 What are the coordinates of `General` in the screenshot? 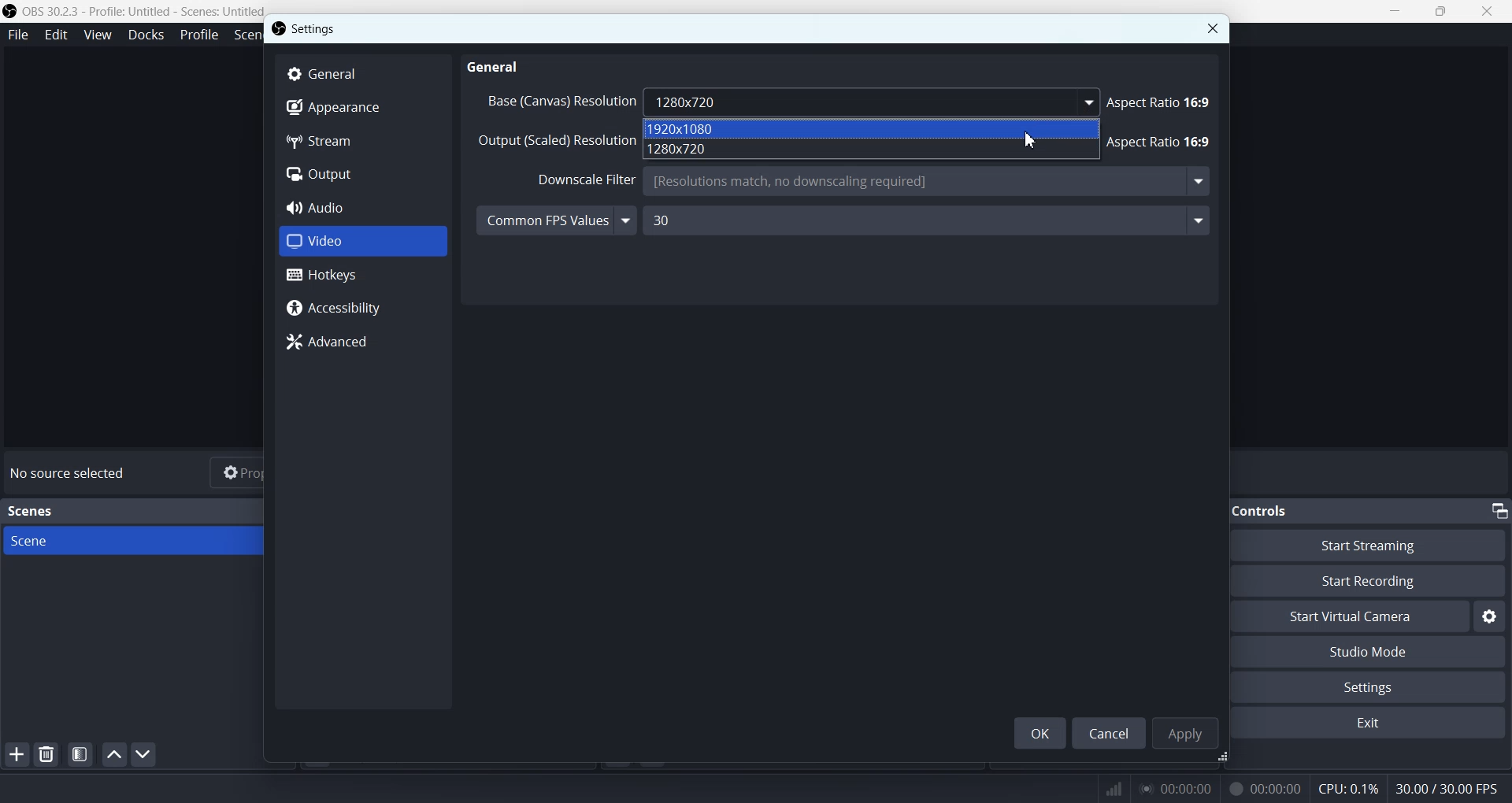 It's located at (363, 73).